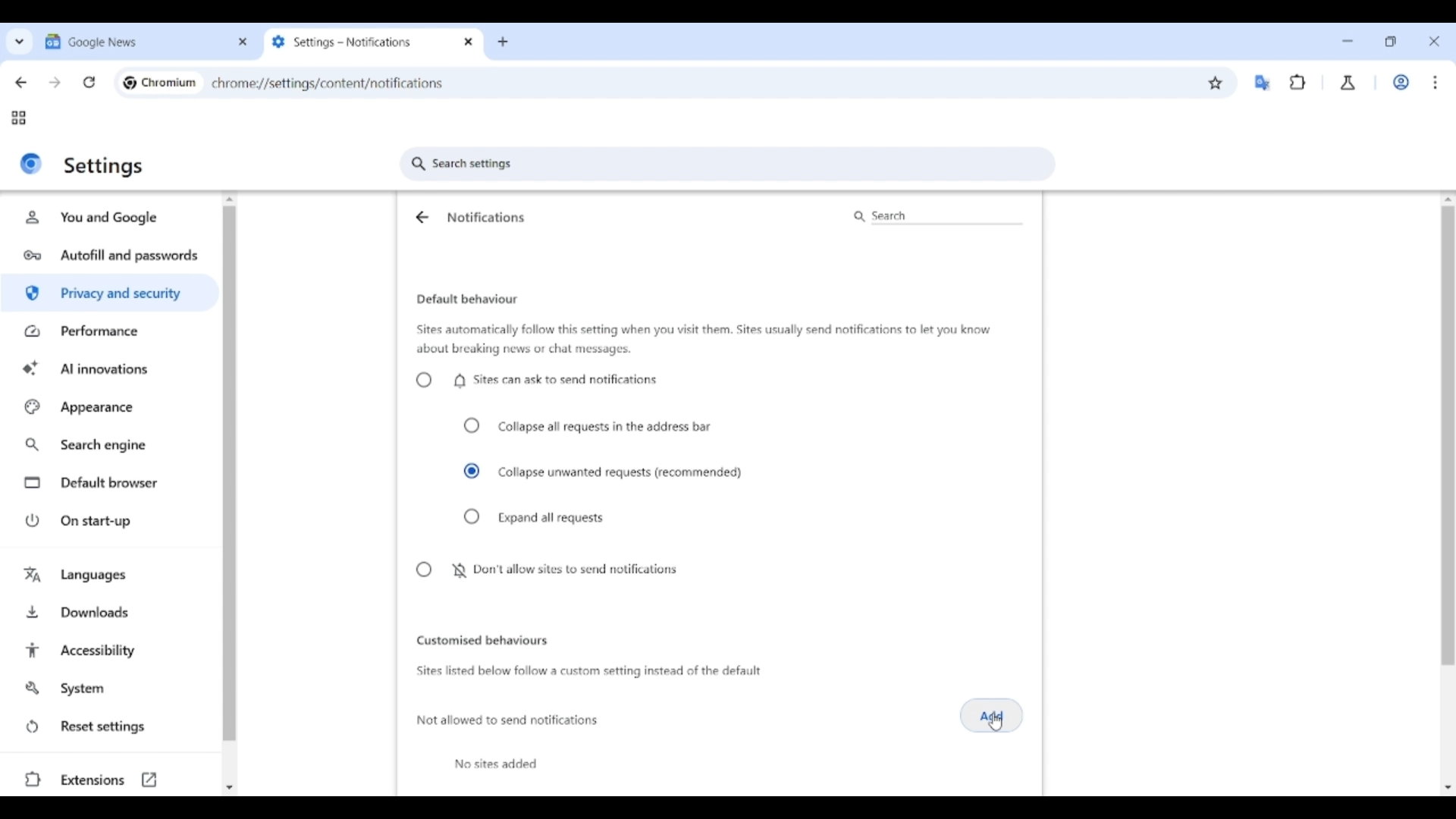  I want to click on No sites added, so click(496, 764).